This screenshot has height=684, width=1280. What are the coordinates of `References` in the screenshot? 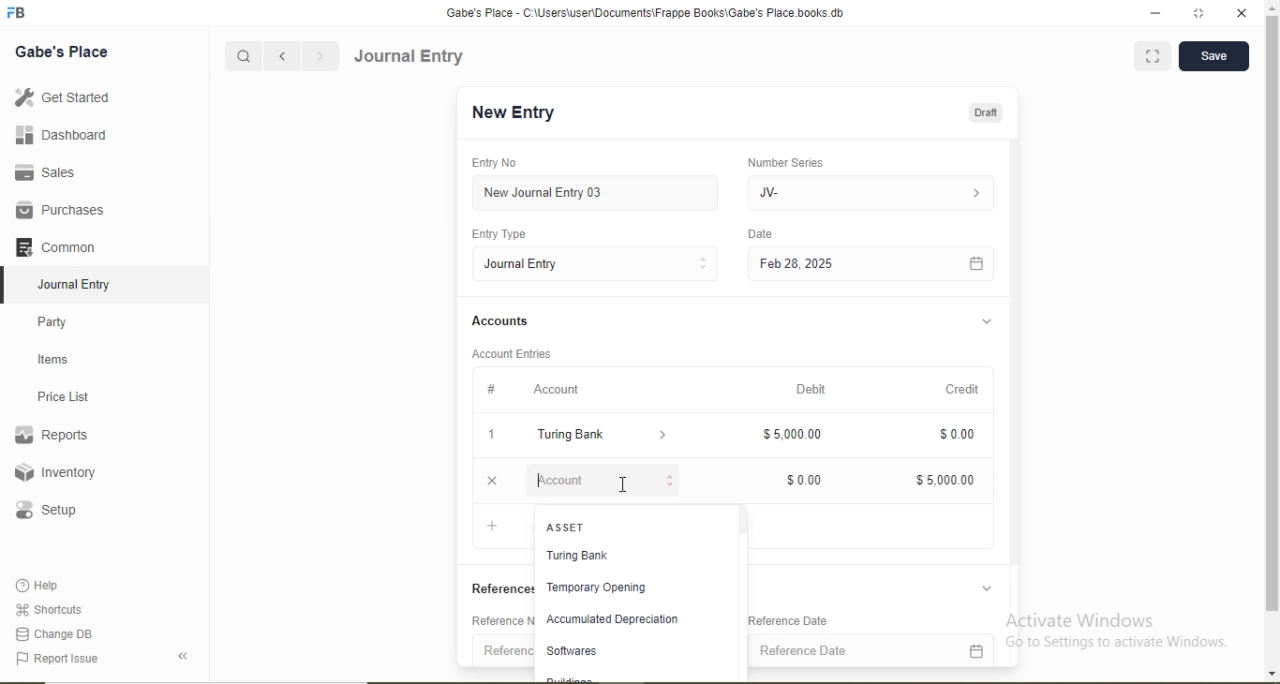 It's located at (501, 589).